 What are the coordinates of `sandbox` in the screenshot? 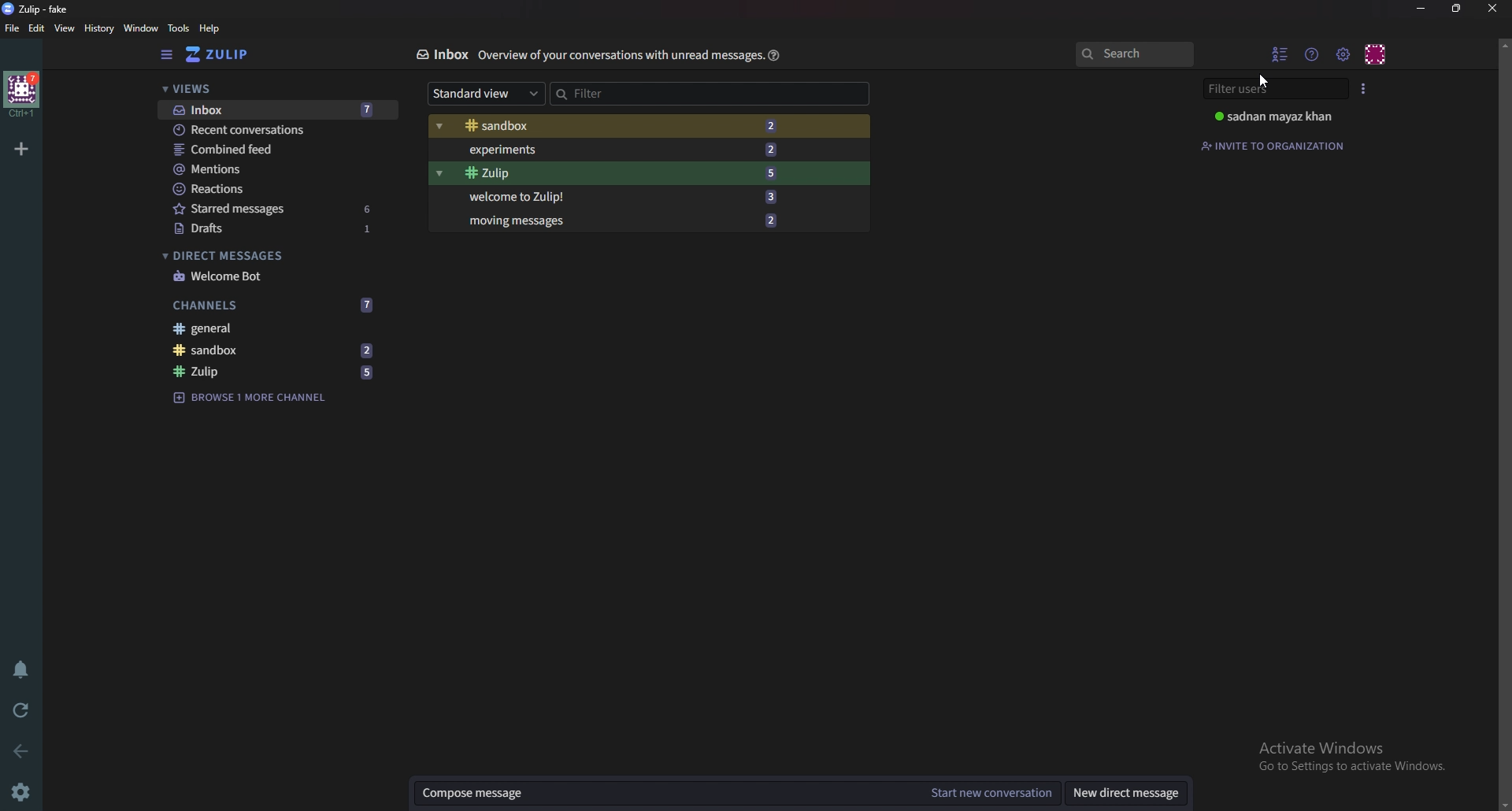 It's located at (280, 350).